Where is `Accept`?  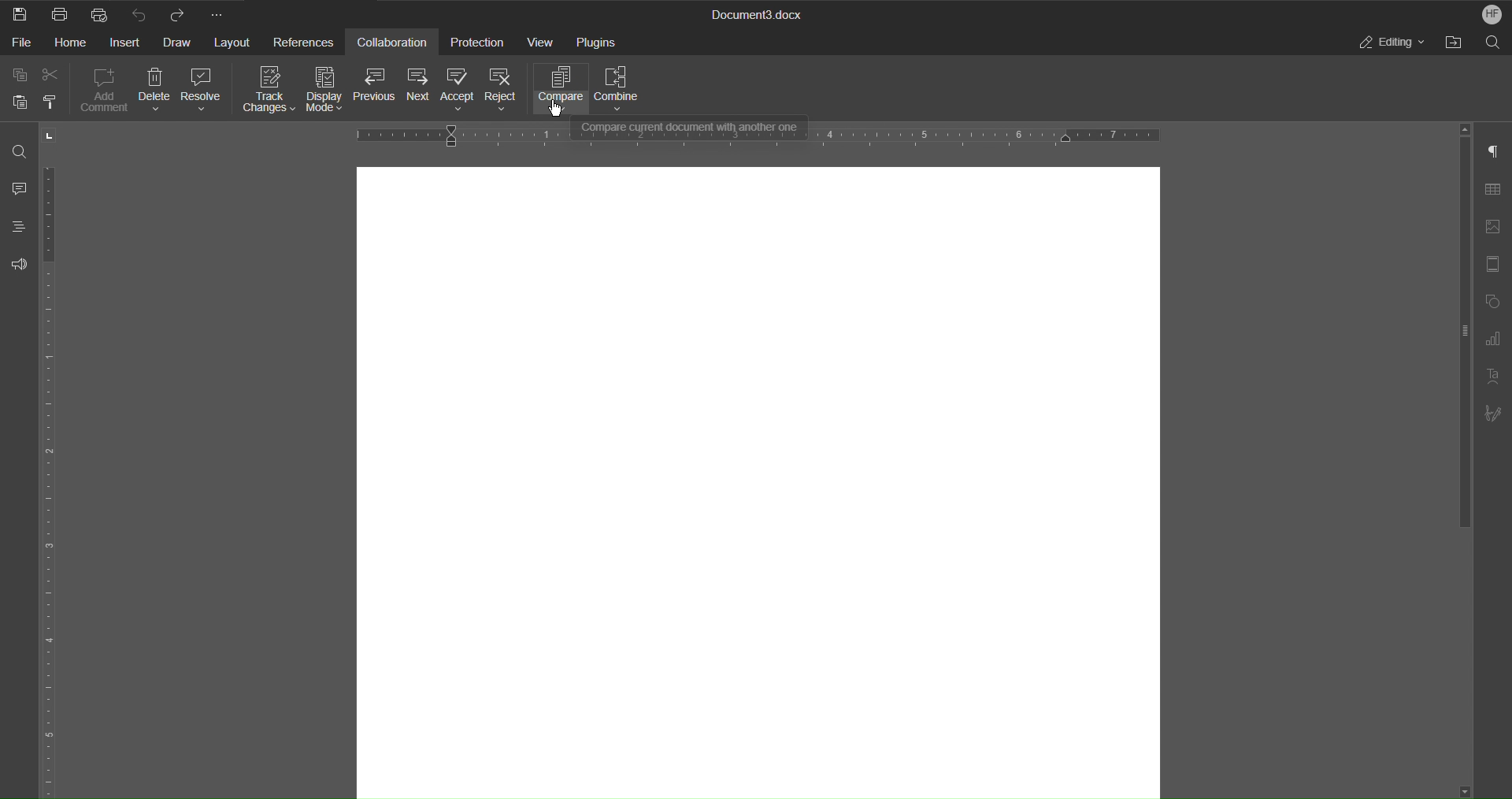
Accept is located at coordinates (457, 91).